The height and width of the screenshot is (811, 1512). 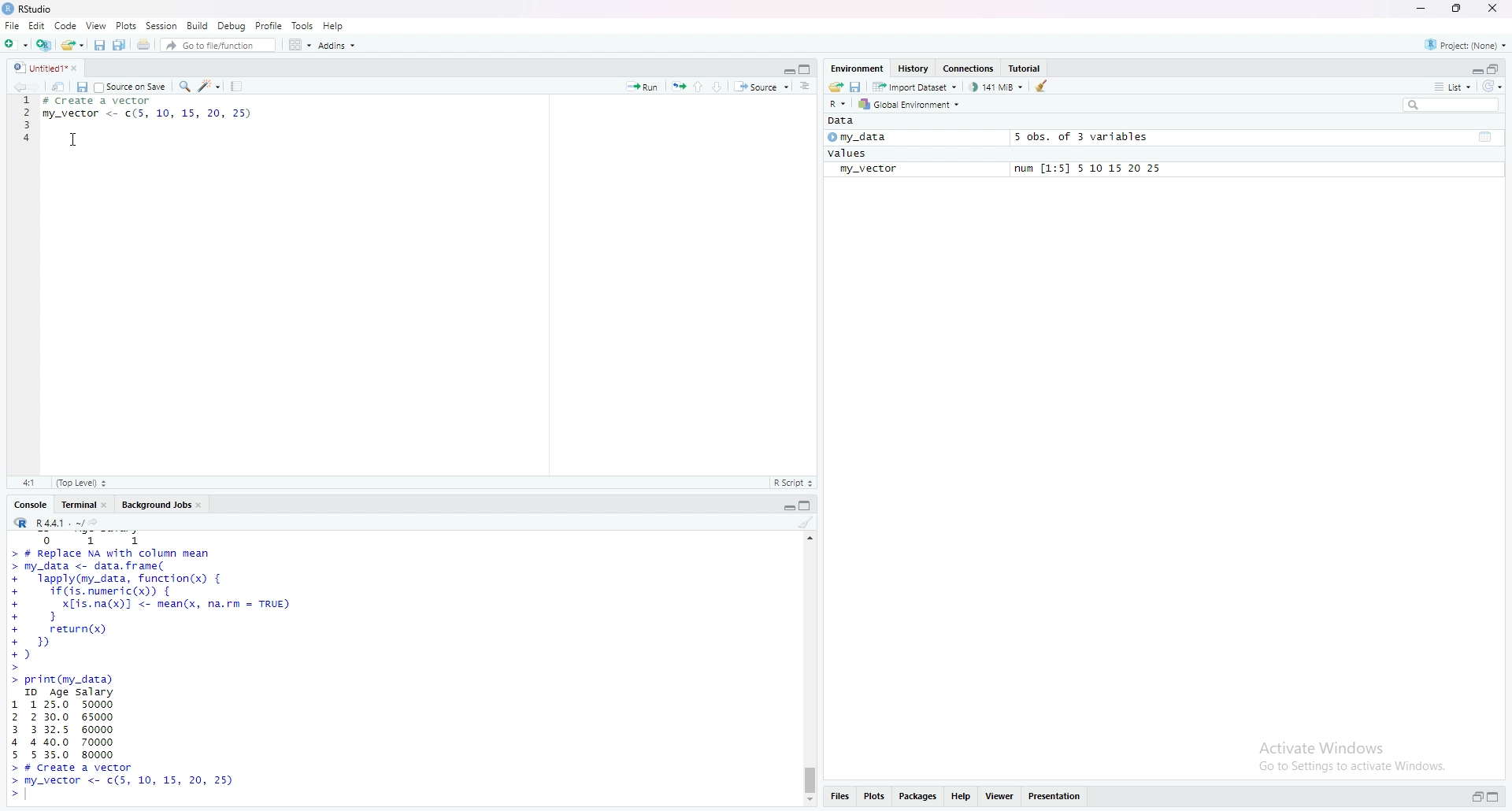 What do you see at coordinates (82, 483) in the screenshot?
I see `top level` at bounding box center [82, 483].